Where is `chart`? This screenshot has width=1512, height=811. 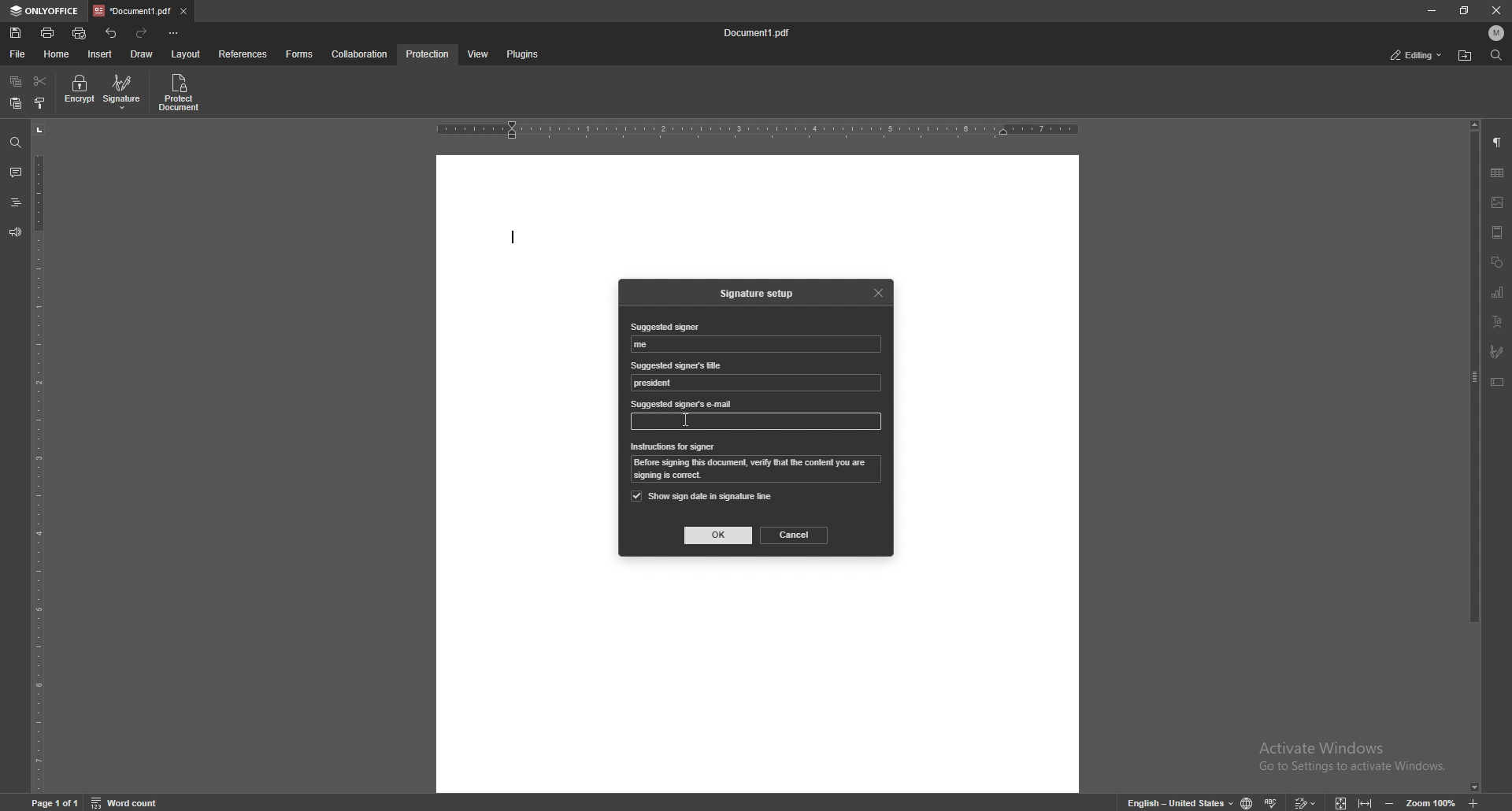
chart is located at coordinates (1498, 293).